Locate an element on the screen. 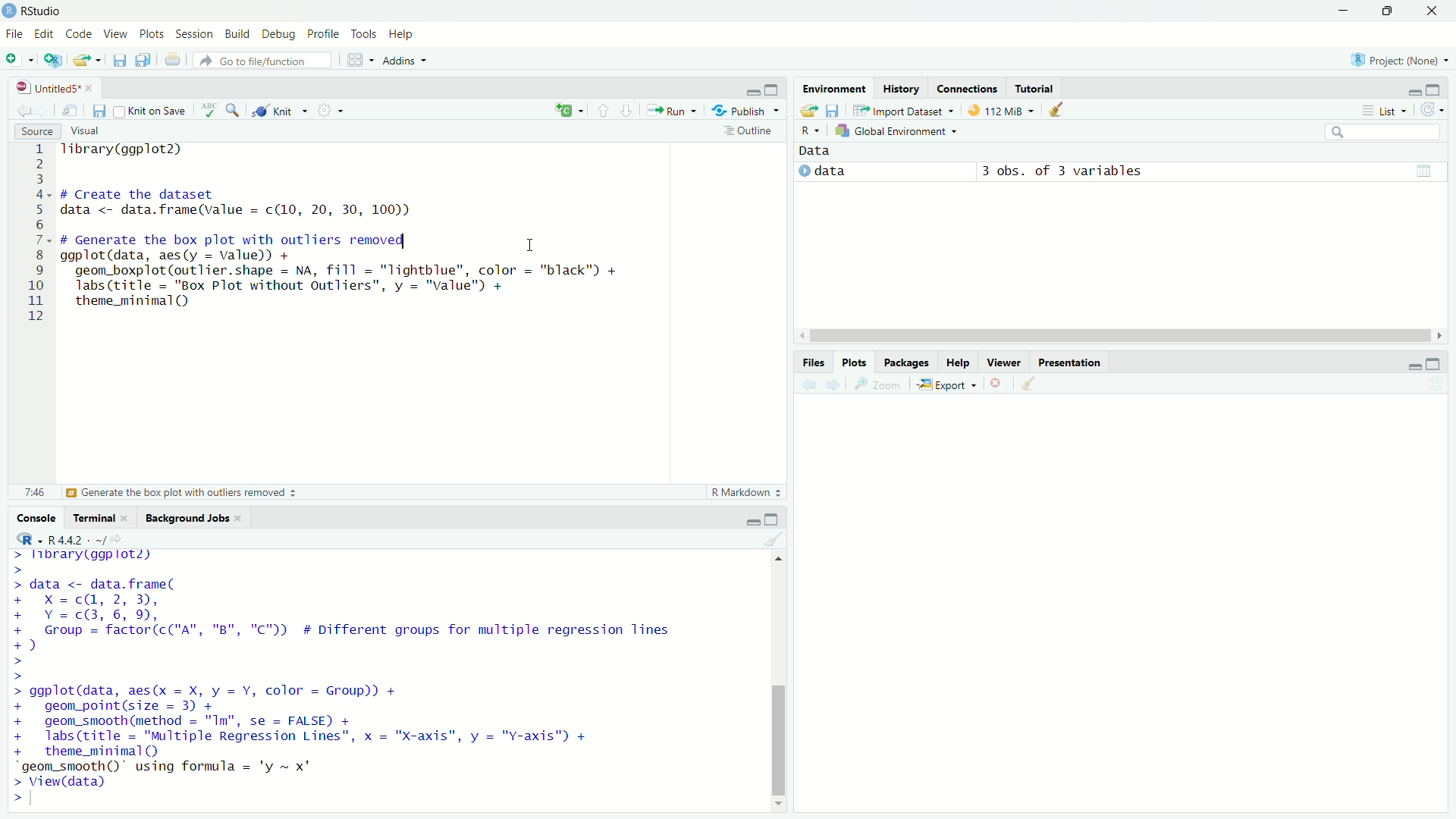 The image size is (1456, 819). Plots is located at coordinates (153, 34).